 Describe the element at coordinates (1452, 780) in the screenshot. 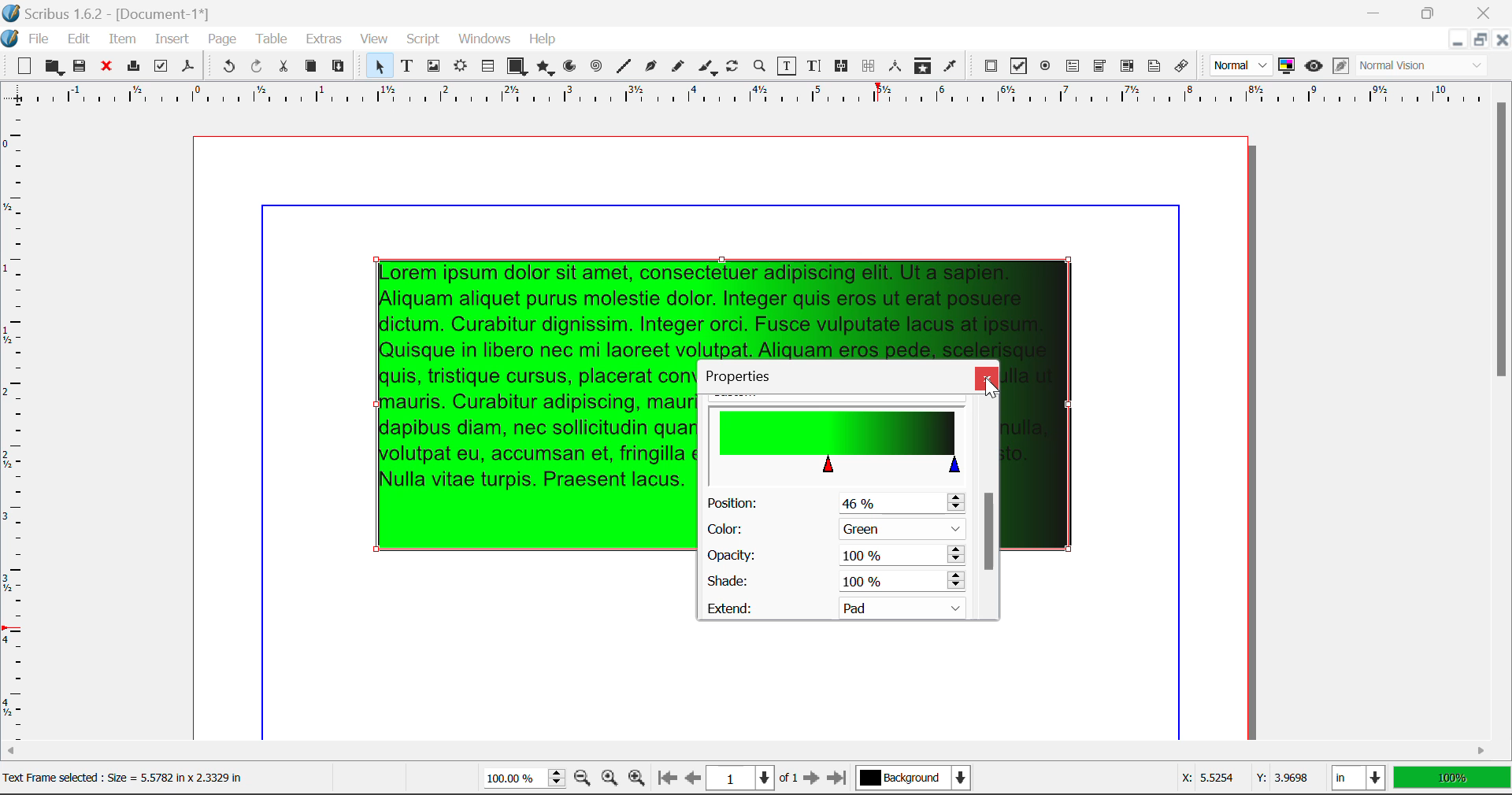

I see `Display Measurement` at that location.